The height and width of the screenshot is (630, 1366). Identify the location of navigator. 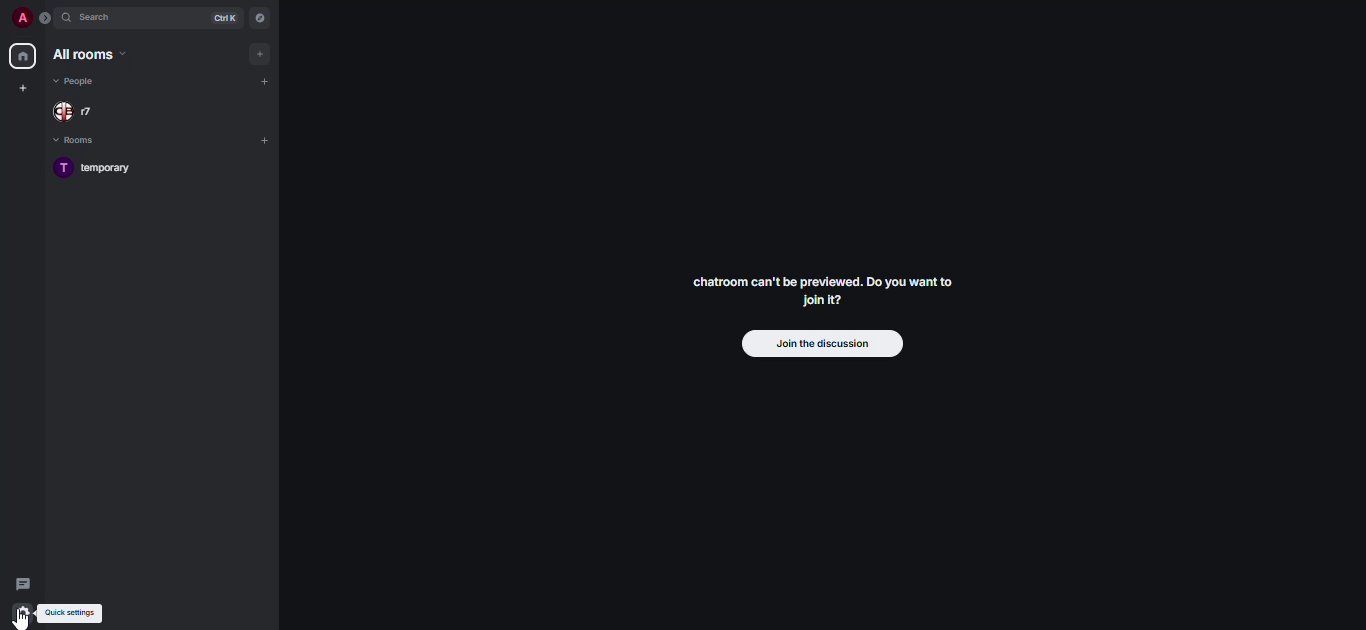
(259, 21).